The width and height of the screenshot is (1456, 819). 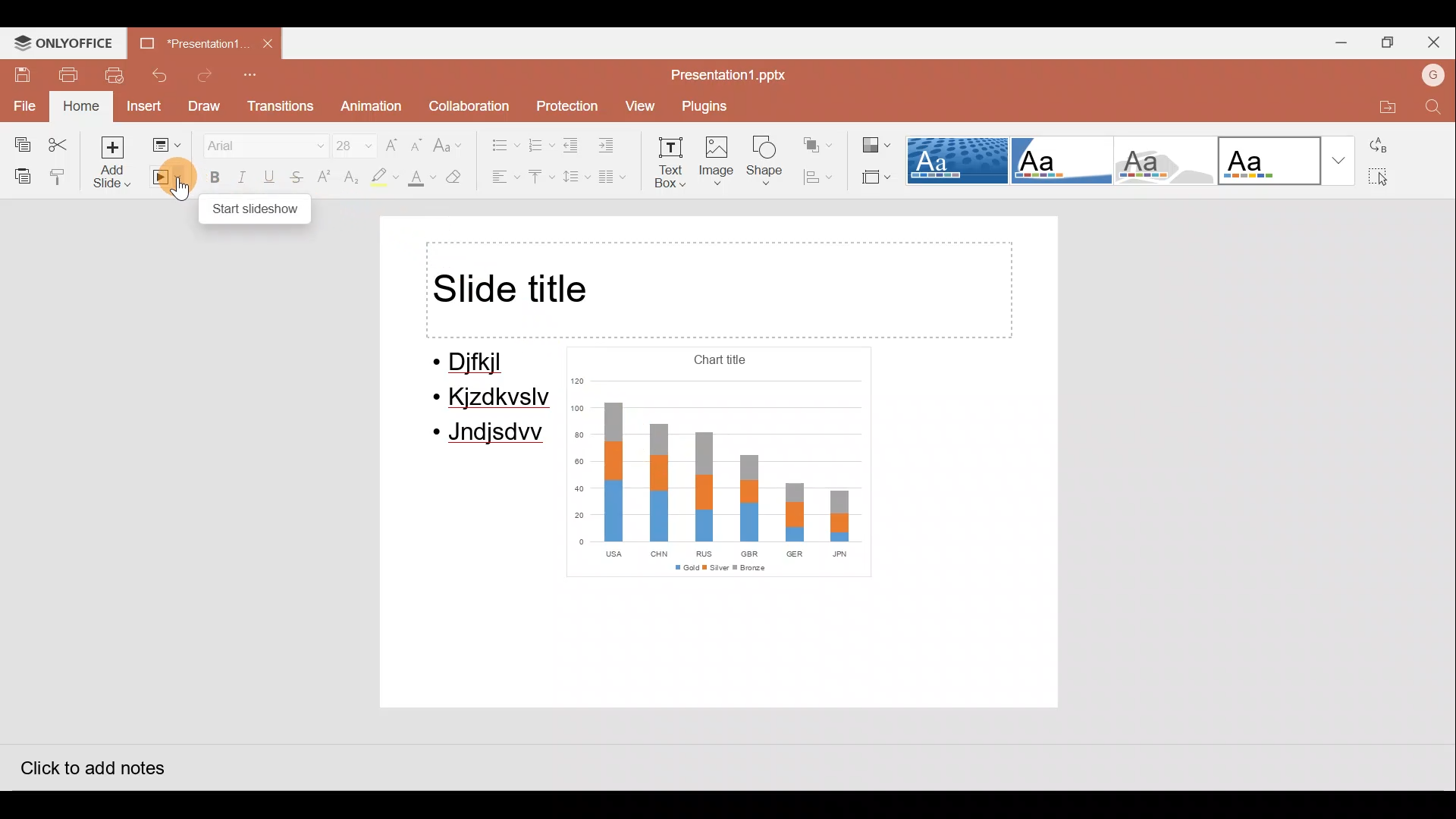 What do you see at coordinates (238, 174) in the screenshot?
I see `Italics` at bounding box center [238, 174].